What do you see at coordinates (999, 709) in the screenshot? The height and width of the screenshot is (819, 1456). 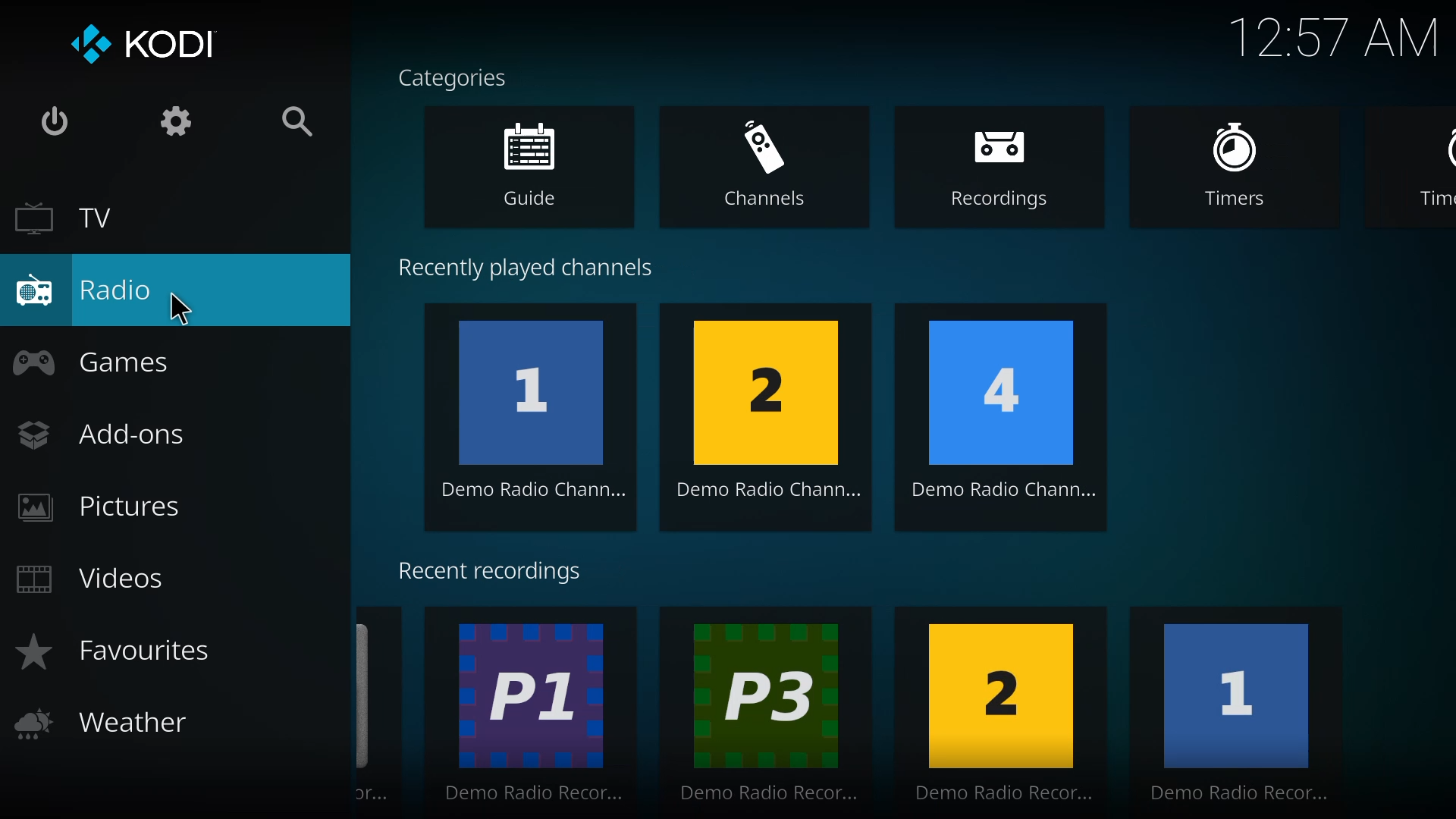 I see `2 Demo Radio Recor...` at bounding box center [999, 709].